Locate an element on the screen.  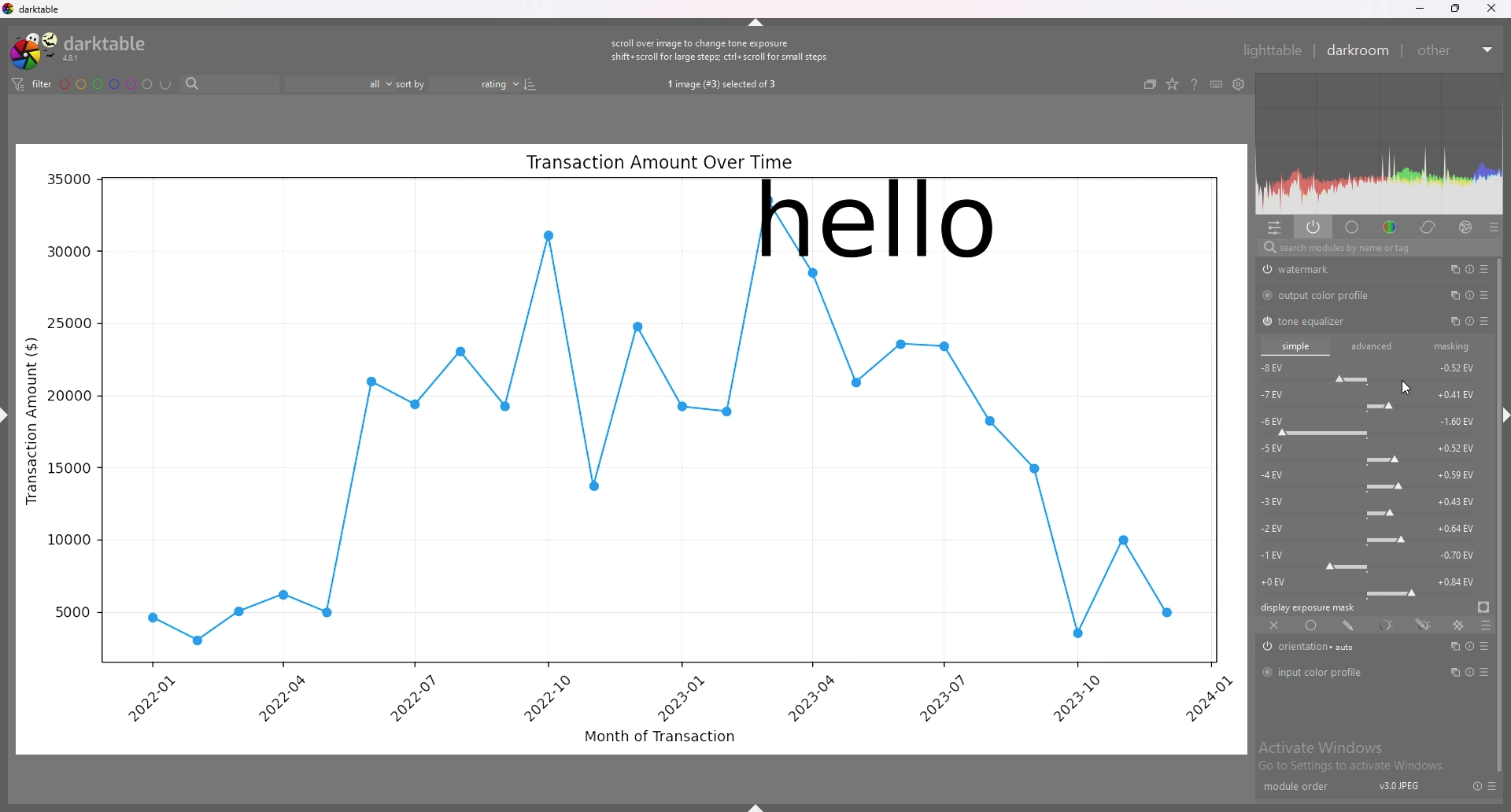
2023-01 is located at coordinates (679, 698).